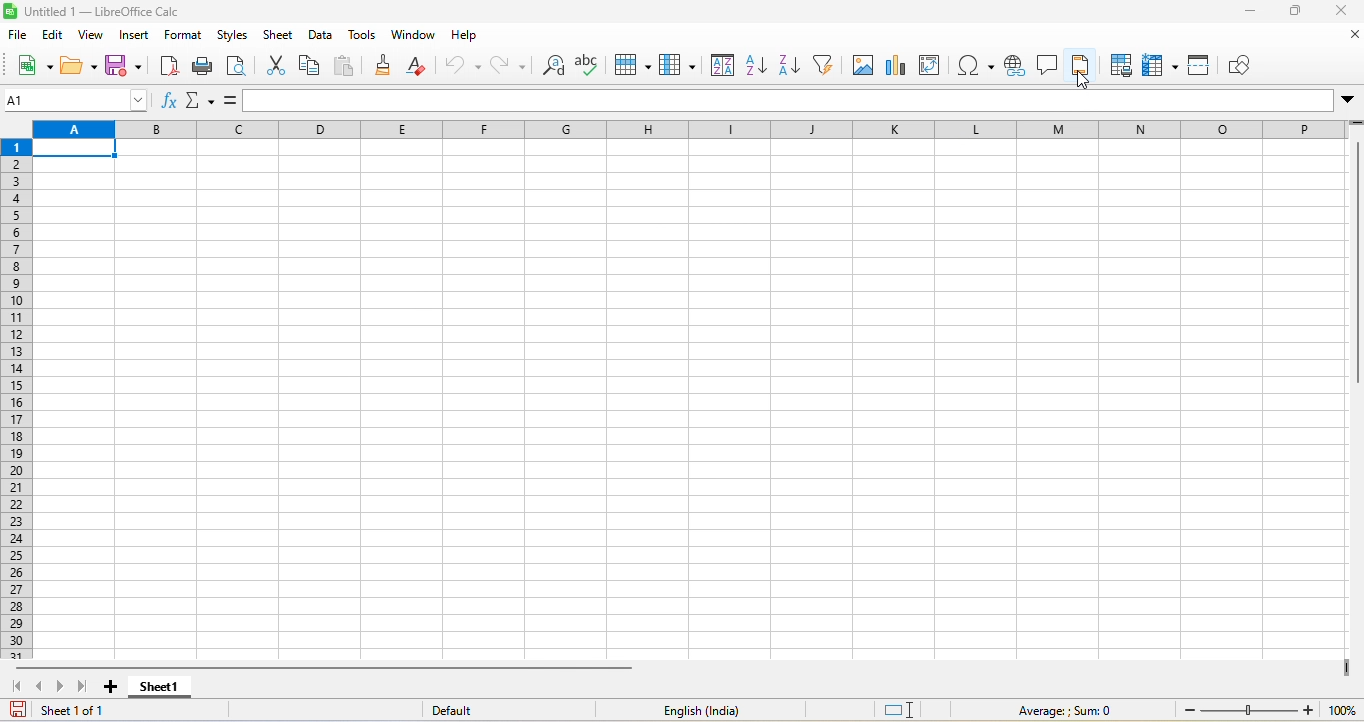  What do you see at coordinates (866, 64) in the screenshot?
I see `image` at bounding box center [866, 64].